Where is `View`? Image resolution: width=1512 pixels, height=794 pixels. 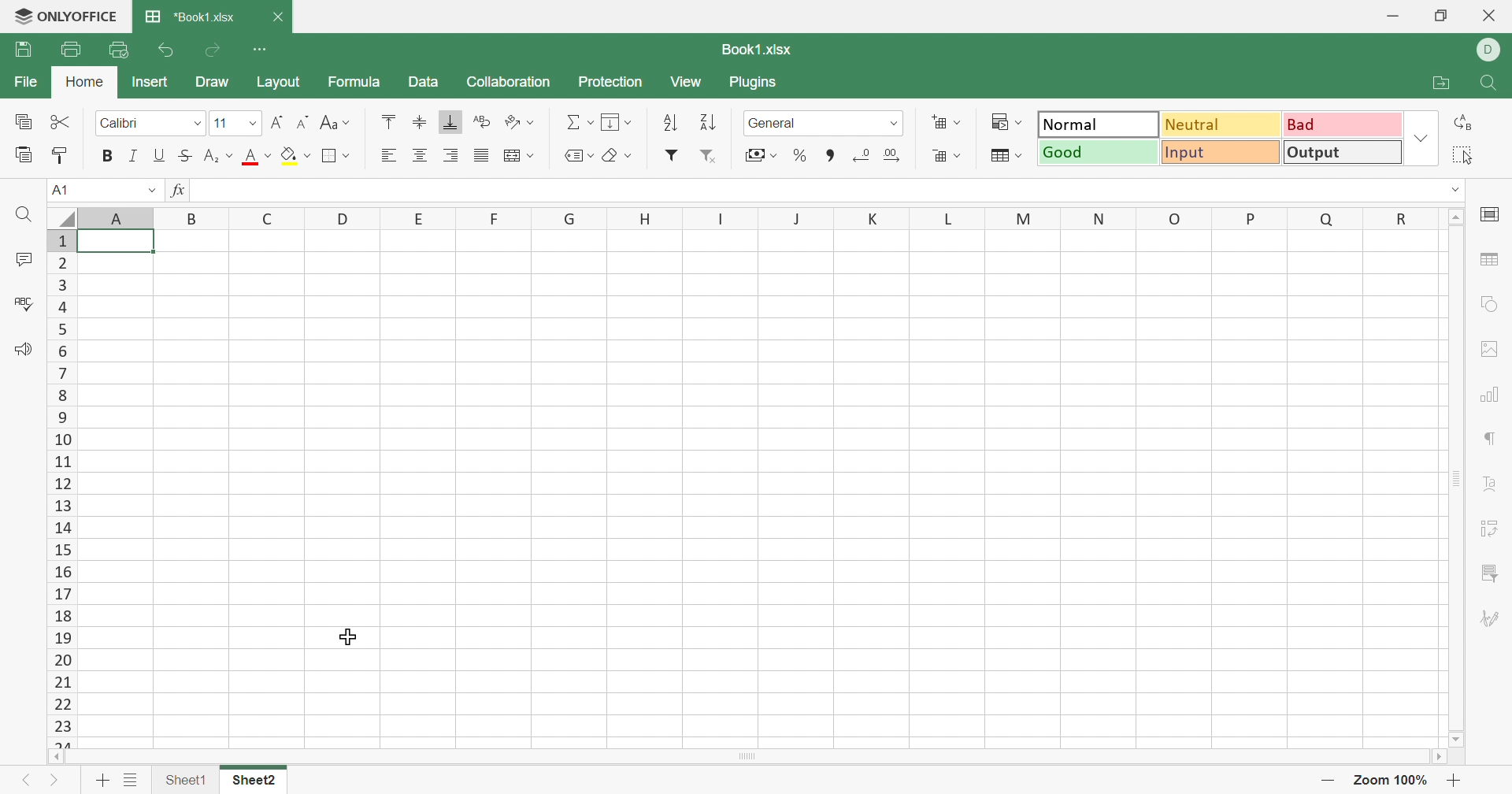 View is located at coordinates (684, 82).